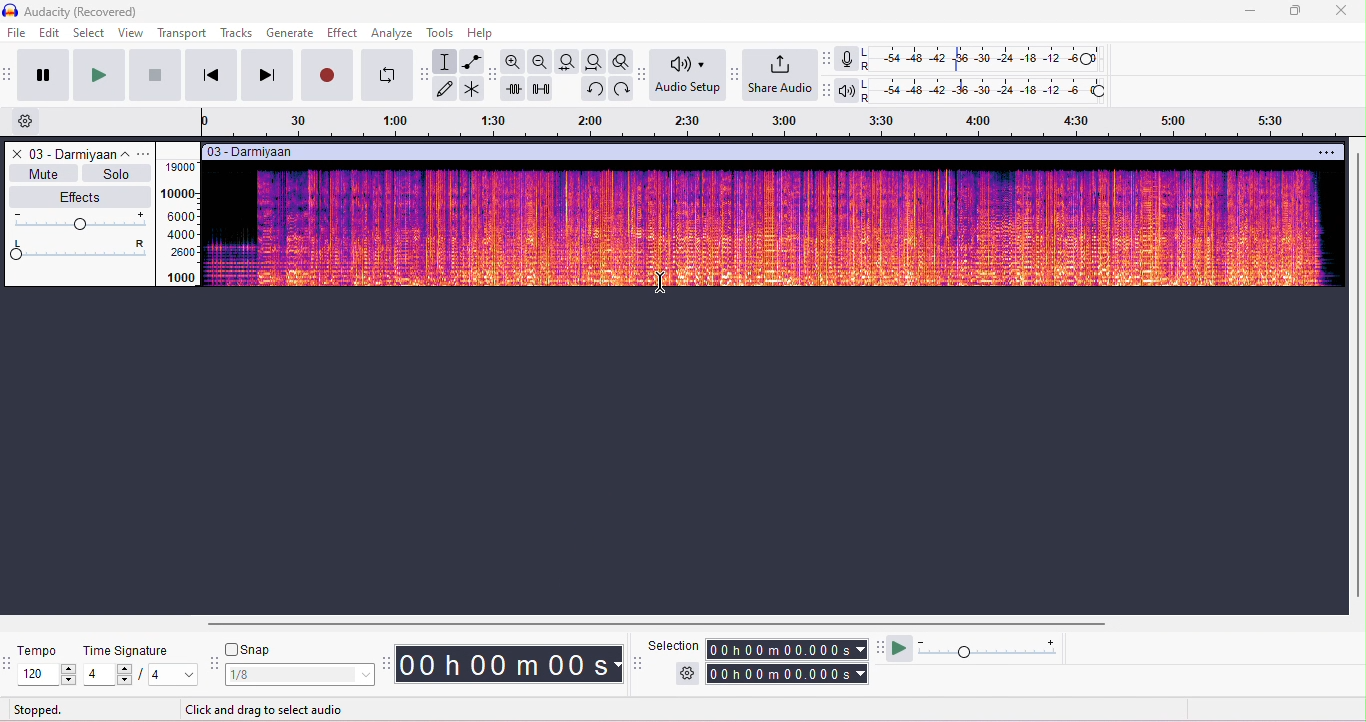 The width and height of the screenshot is (1366, 722). I want to click on previous, so click(210, 75).